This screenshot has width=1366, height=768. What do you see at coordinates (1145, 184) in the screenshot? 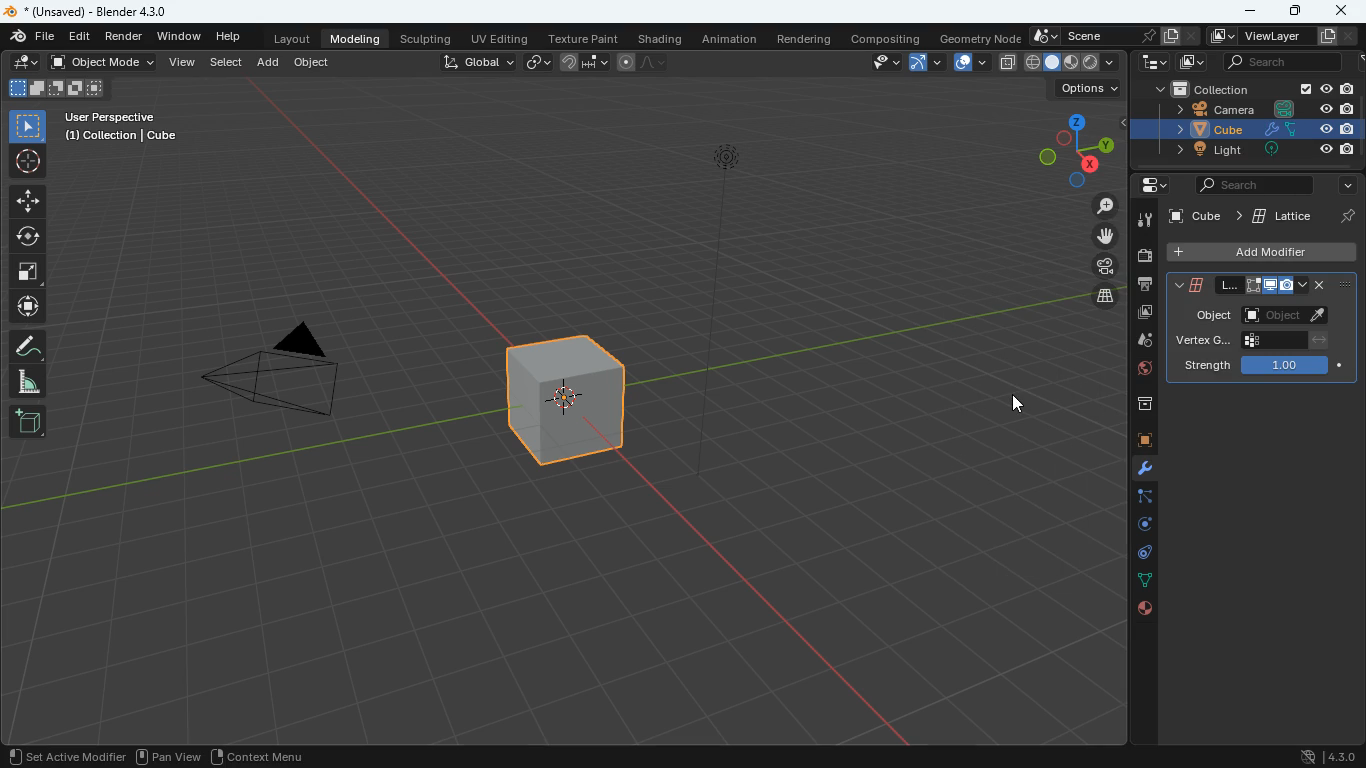
I see `settings` at bounding box center [1145, 184].